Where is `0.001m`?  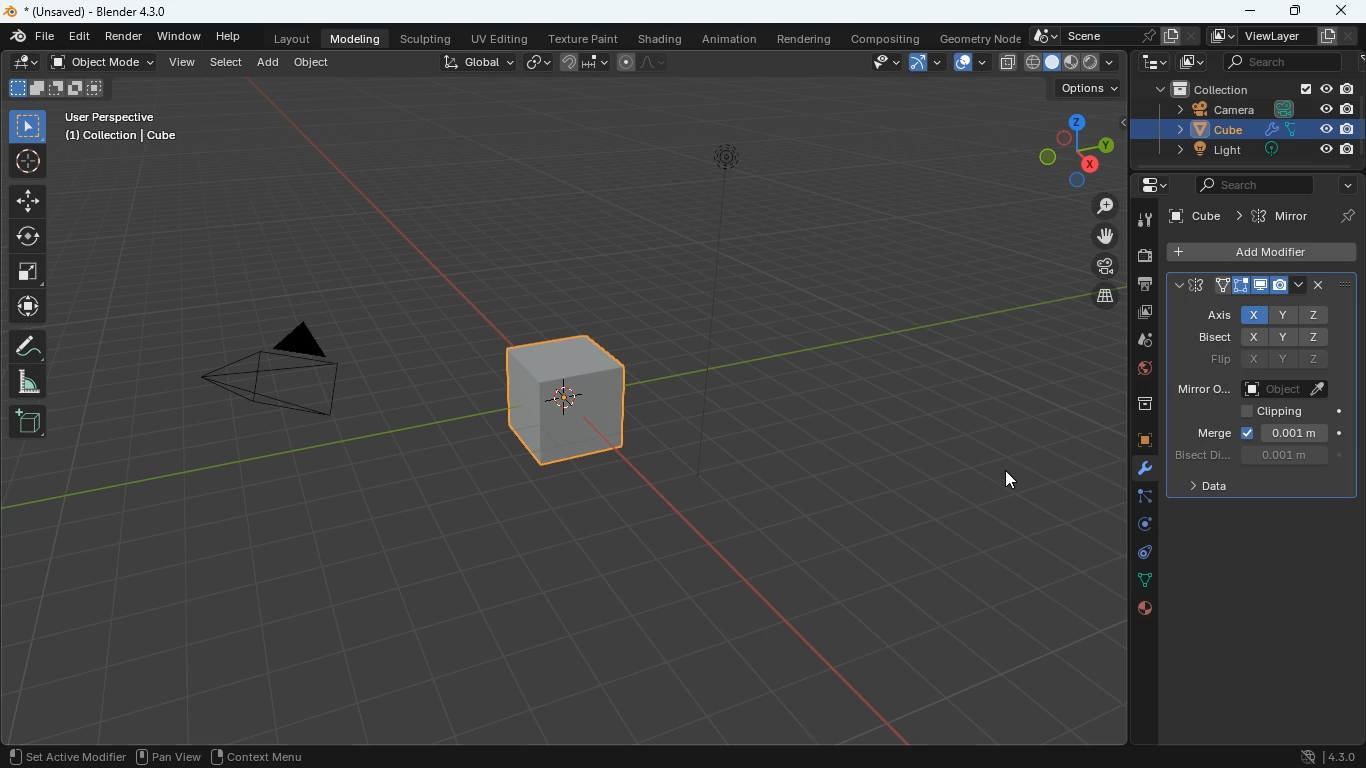
0.001m is located at coordinates (1305, 432).